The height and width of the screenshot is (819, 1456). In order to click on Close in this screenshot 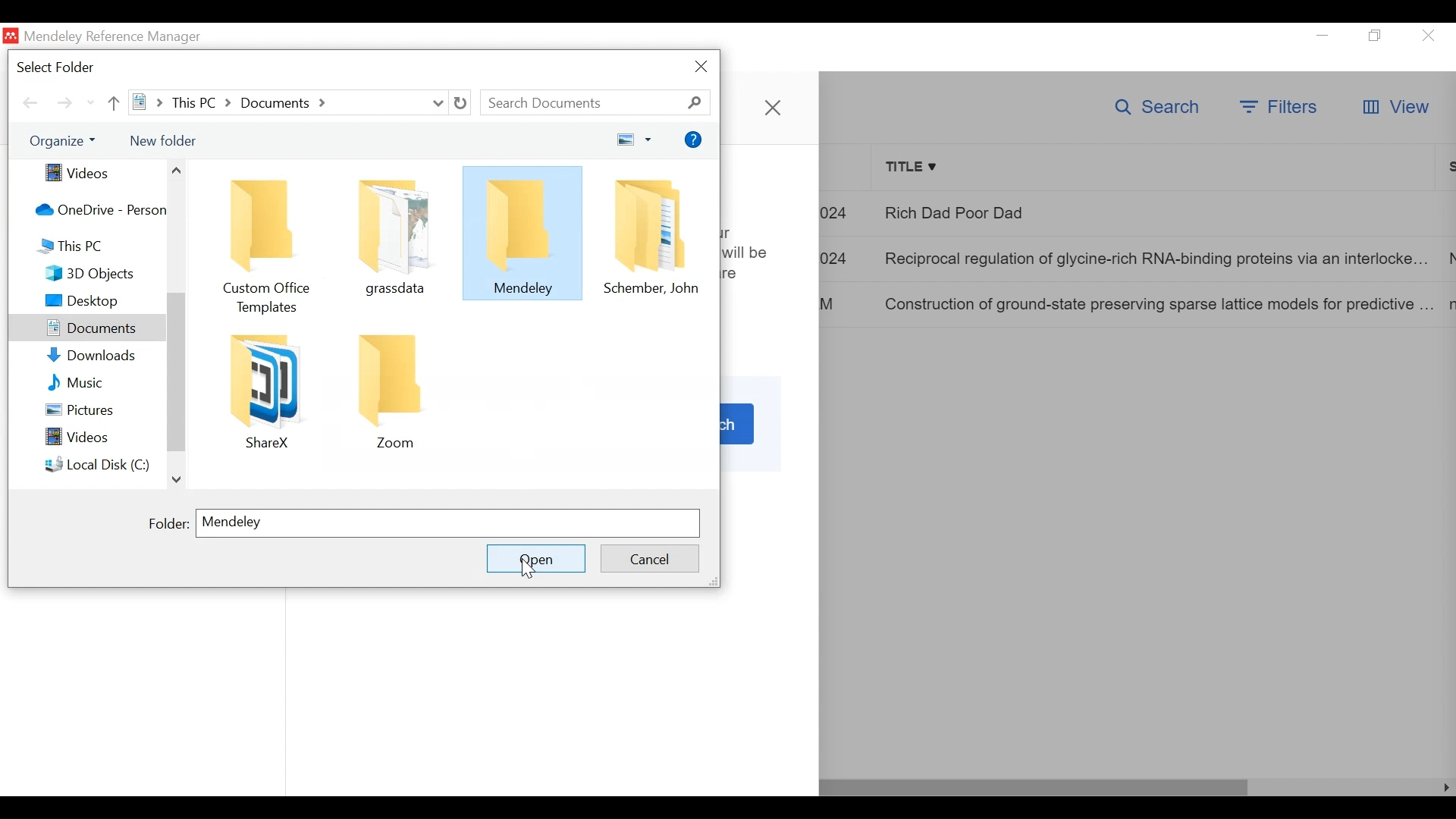, I will do `click(1428, 36)`.